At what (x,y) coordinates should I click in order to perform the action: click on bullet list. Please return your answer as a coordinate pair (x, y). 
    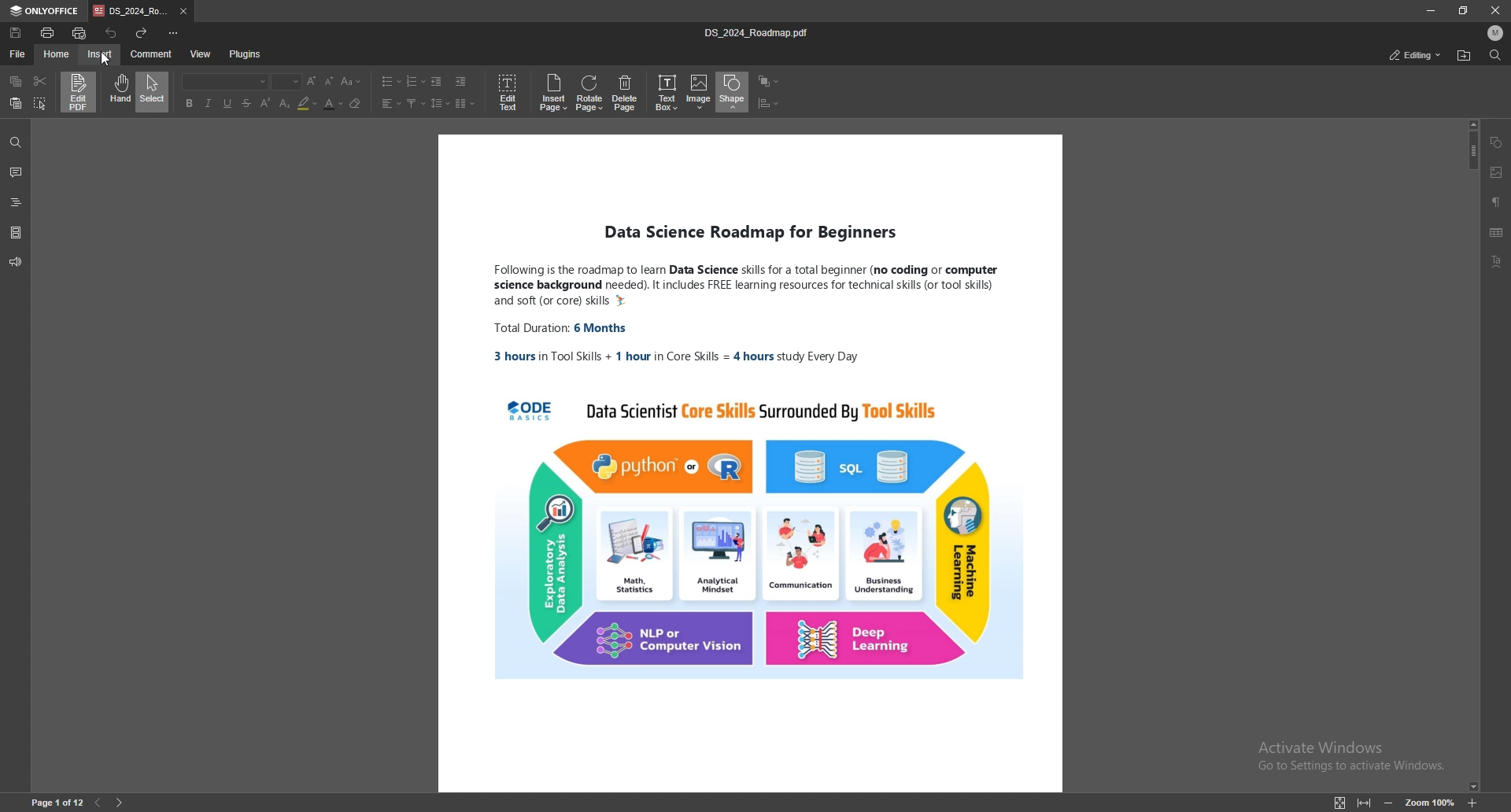
    Looking at the image, I should click on (392, 81).